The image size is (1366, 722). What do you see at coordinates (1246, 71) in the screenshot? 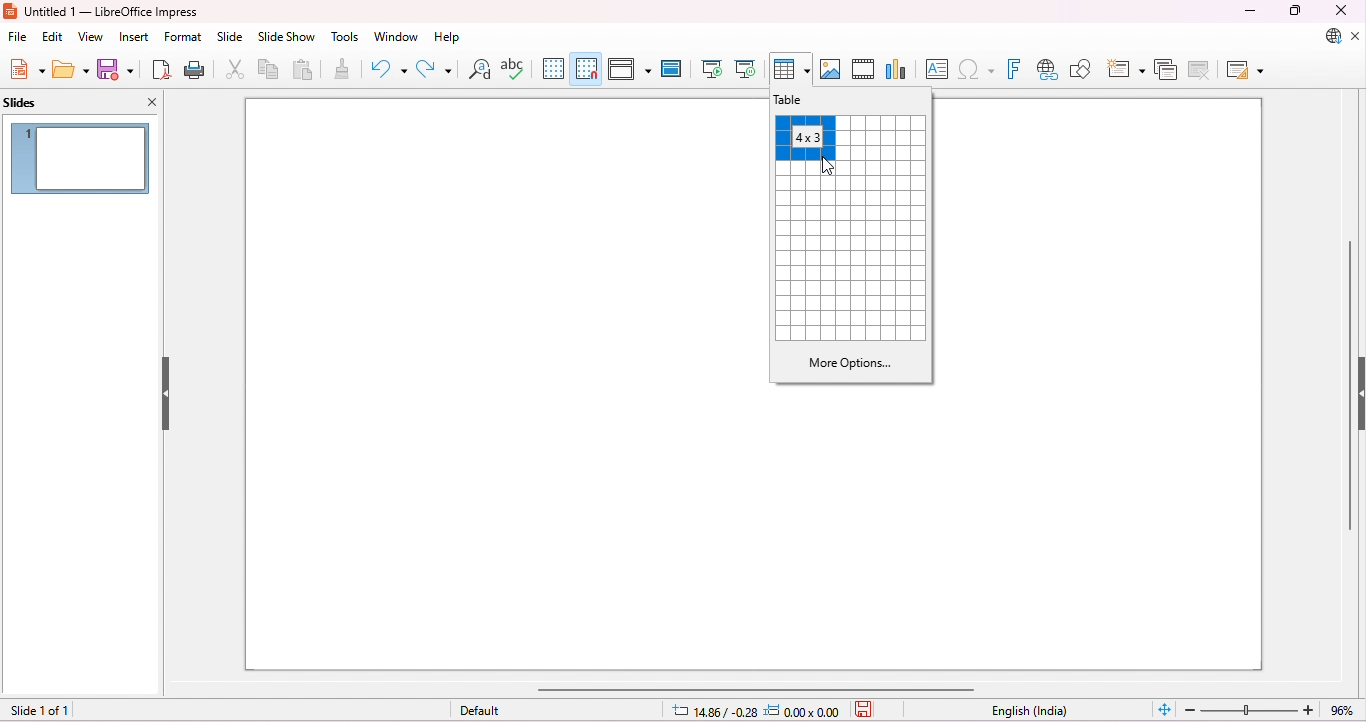
I see `slide ;ayout` at bounding box center [1246, 71].